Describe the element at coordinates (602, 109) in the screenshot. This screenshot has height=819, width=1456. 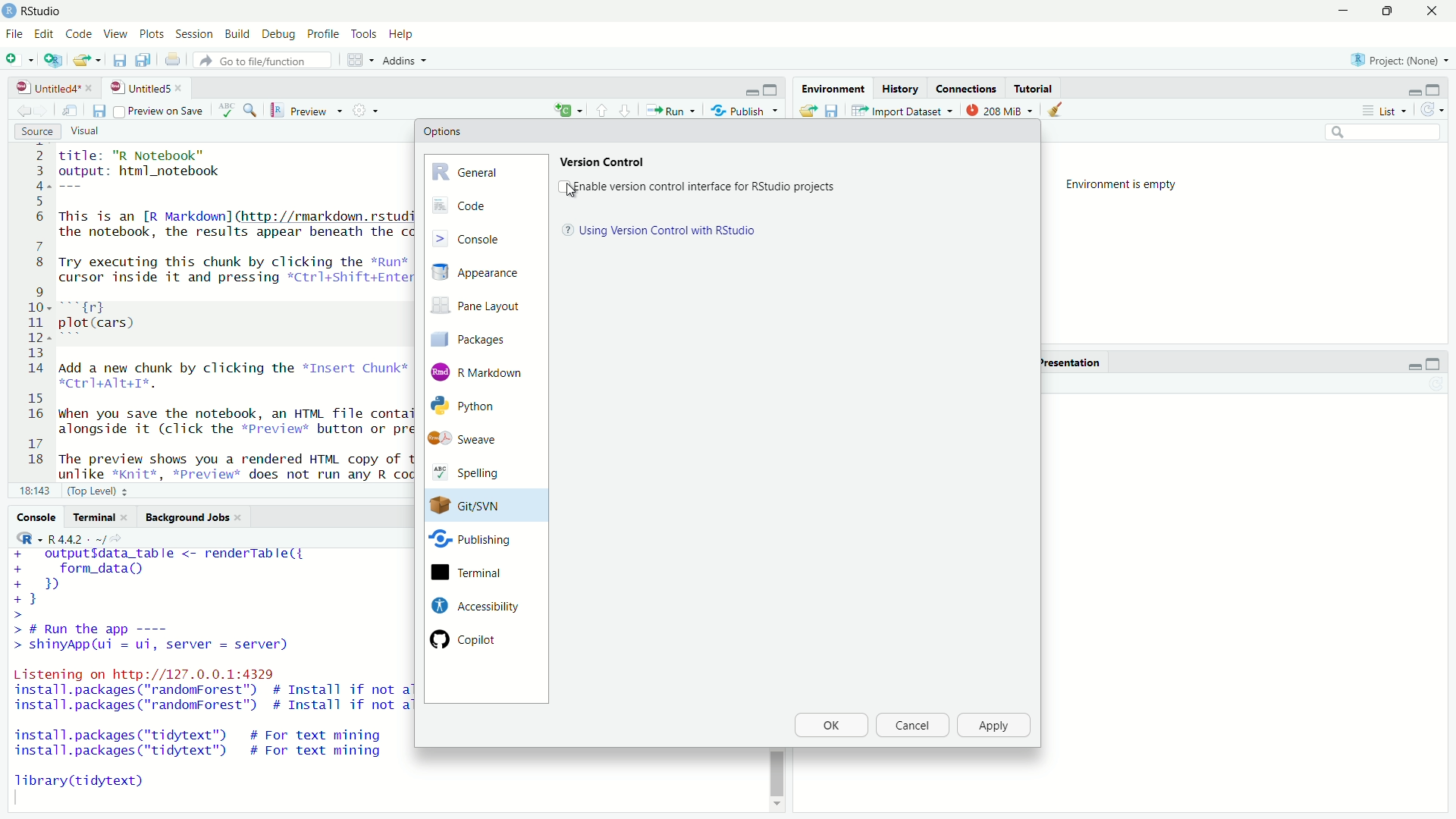
I see `down` at that location.